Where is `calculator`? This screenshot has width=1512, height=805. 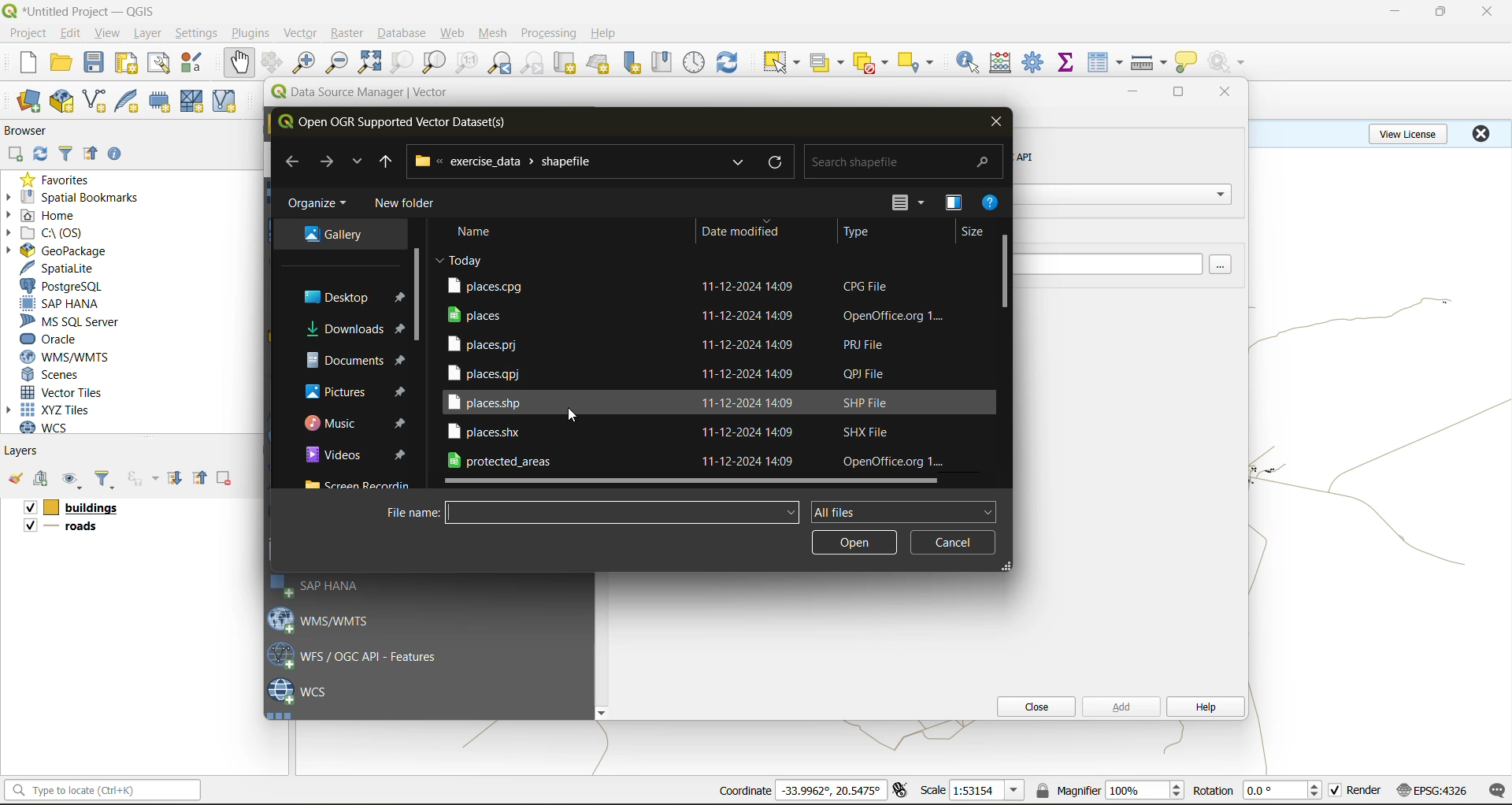
calculator is located at coordinates (1006, 65).